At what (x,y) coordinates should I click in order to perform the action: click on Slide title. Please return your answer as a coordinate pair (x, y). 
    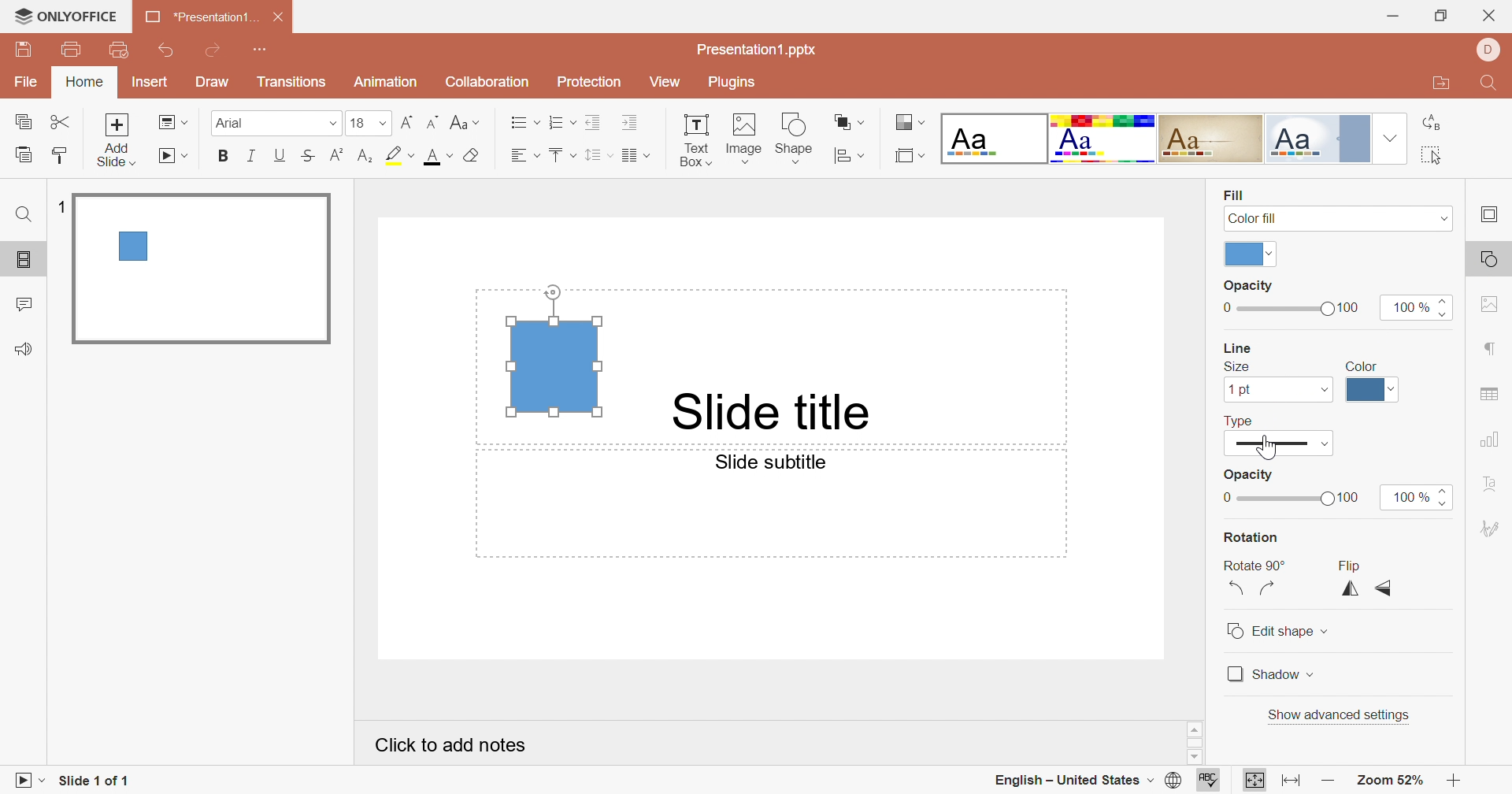
    Looking at the image, I should click on (769, 410).